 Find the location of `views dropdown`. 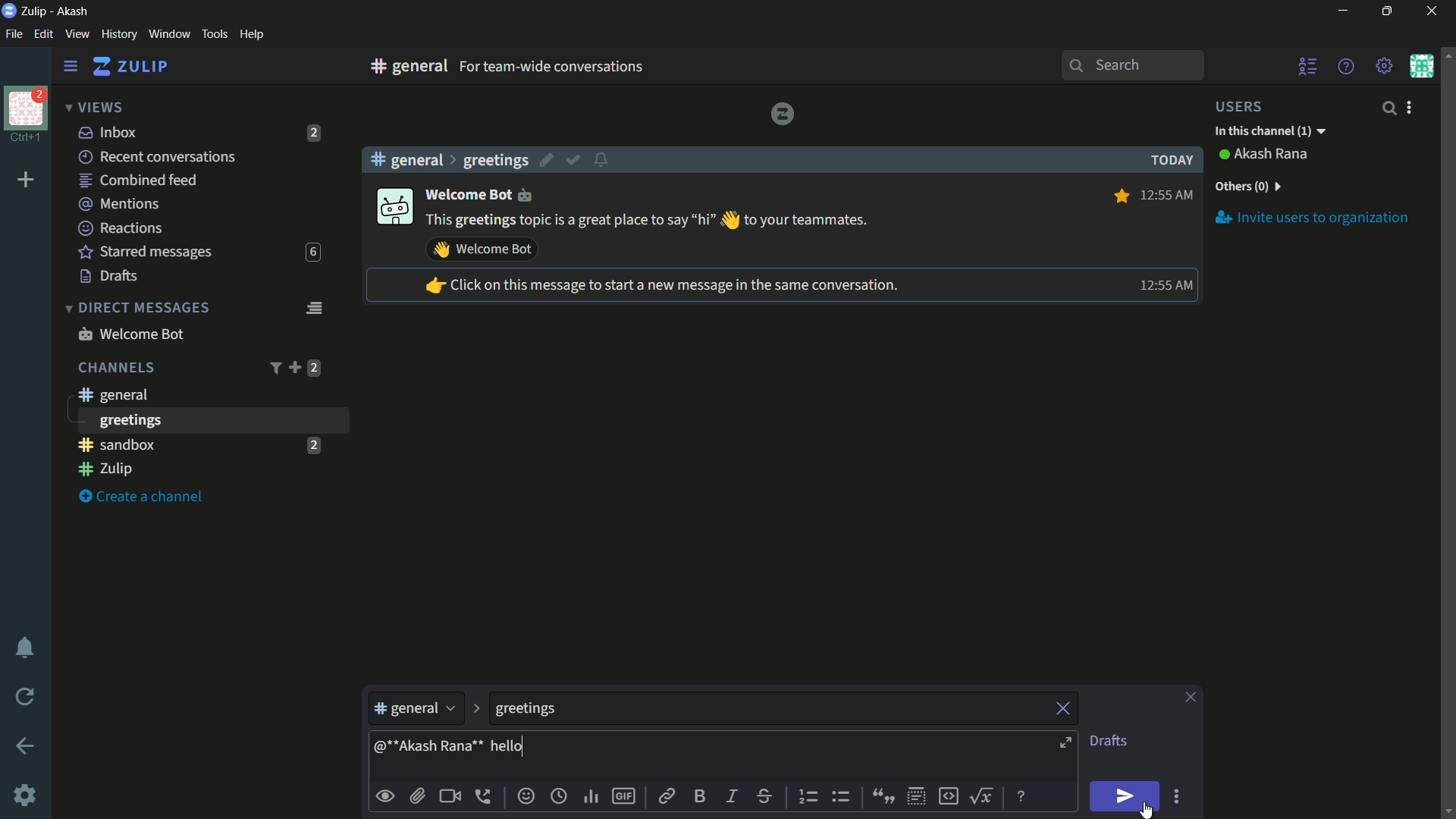

views dropdown is located at coordinates (94, 108).